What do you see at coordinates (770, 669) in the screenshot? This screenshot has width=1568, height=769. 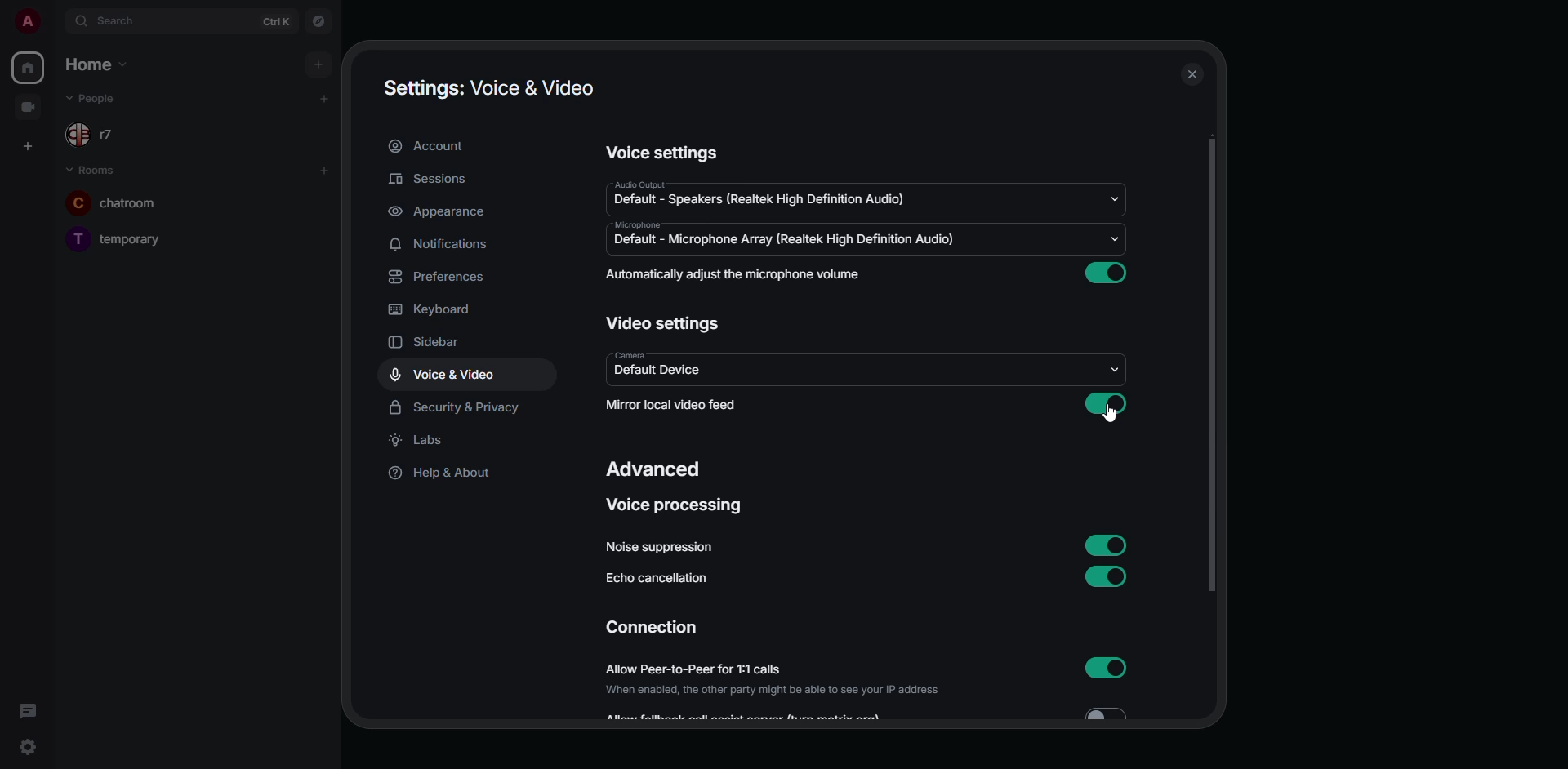 I see `allow peer-to-peer for 1:1 calls` at bounding box center [770, 669].